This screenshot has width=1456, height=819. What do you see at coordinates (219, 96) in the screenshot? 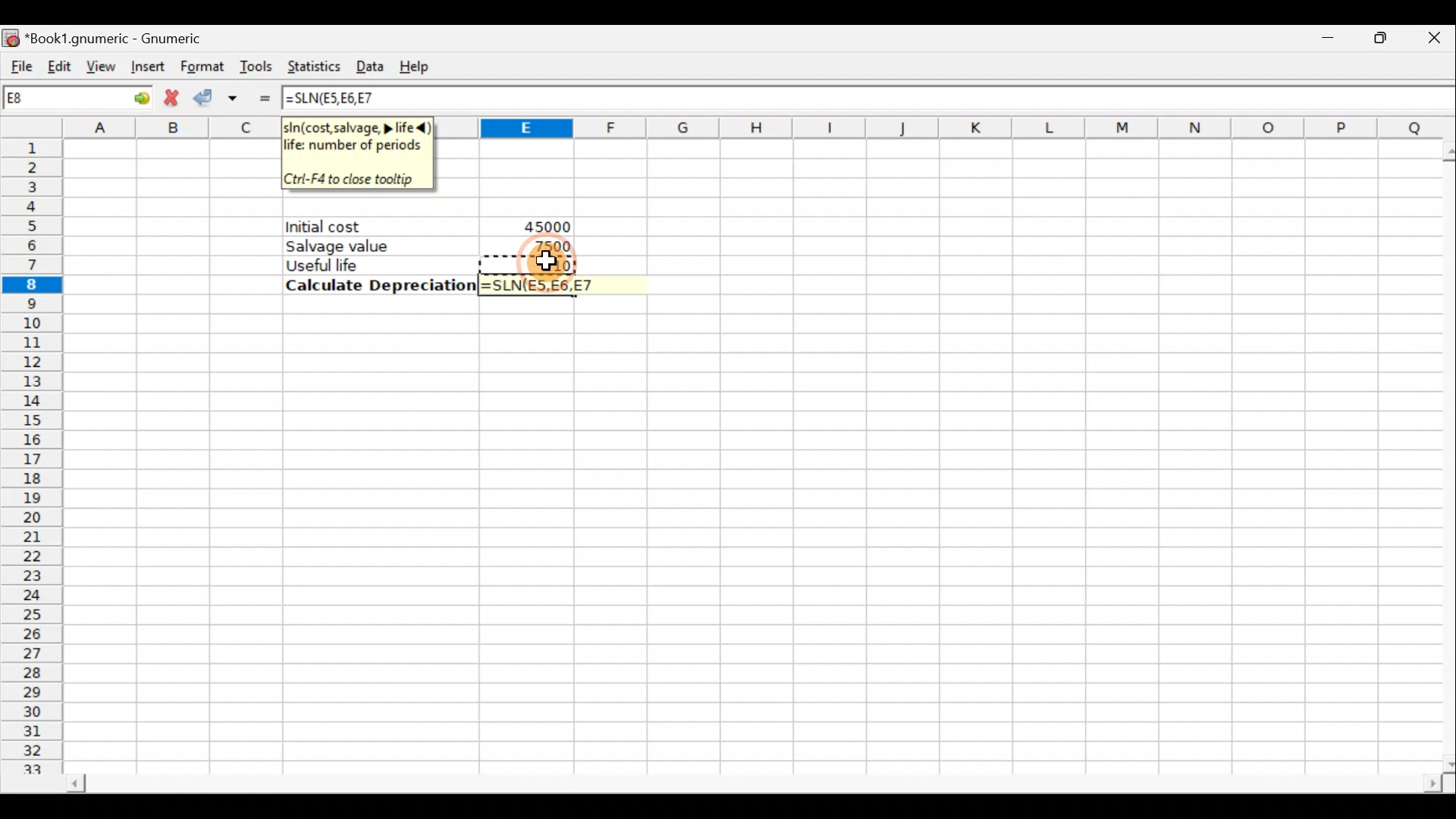
I see `Accept change` at bounding box center [219, 96].